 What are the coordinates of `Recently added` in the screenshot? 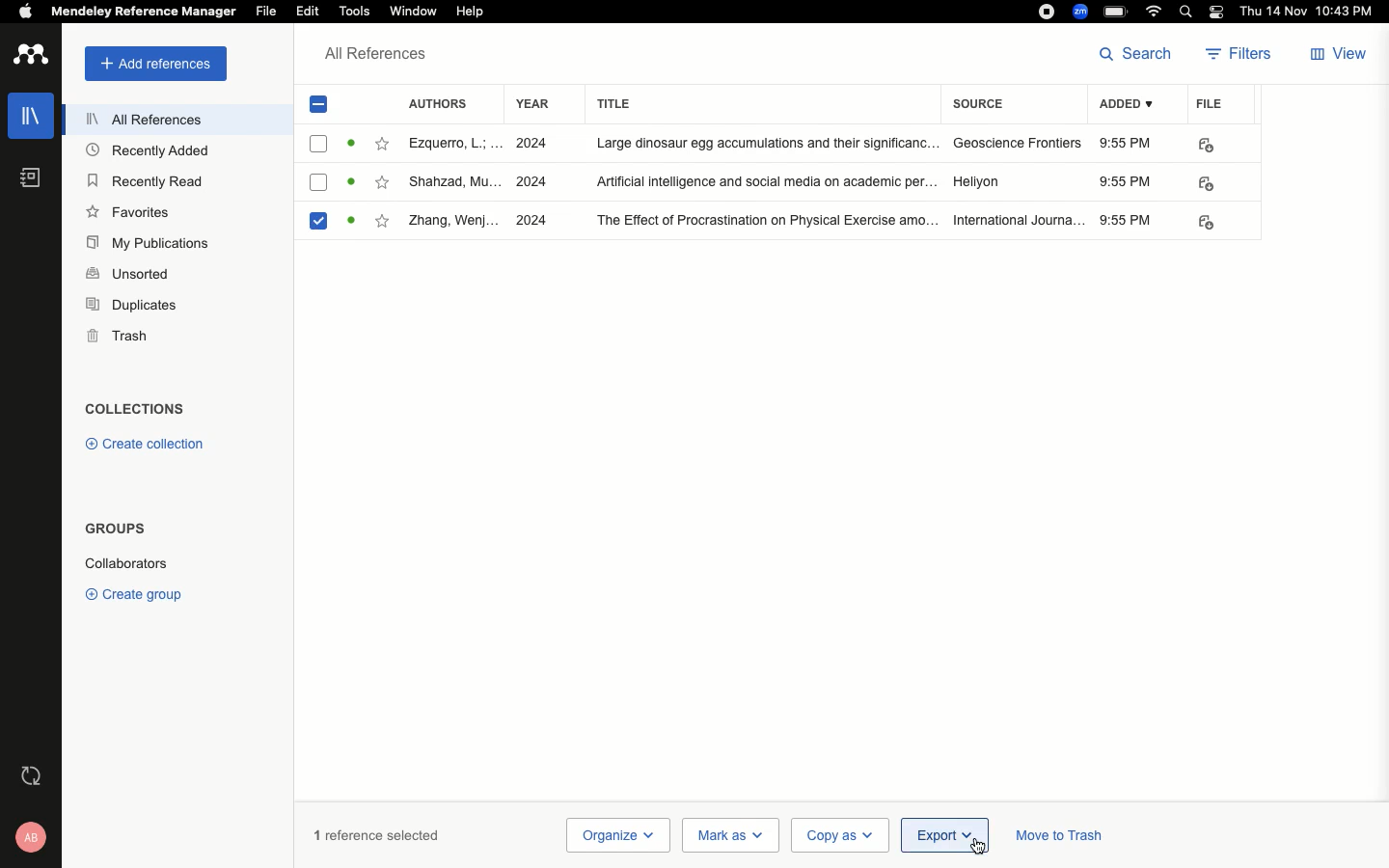 It's located at (155, 151).